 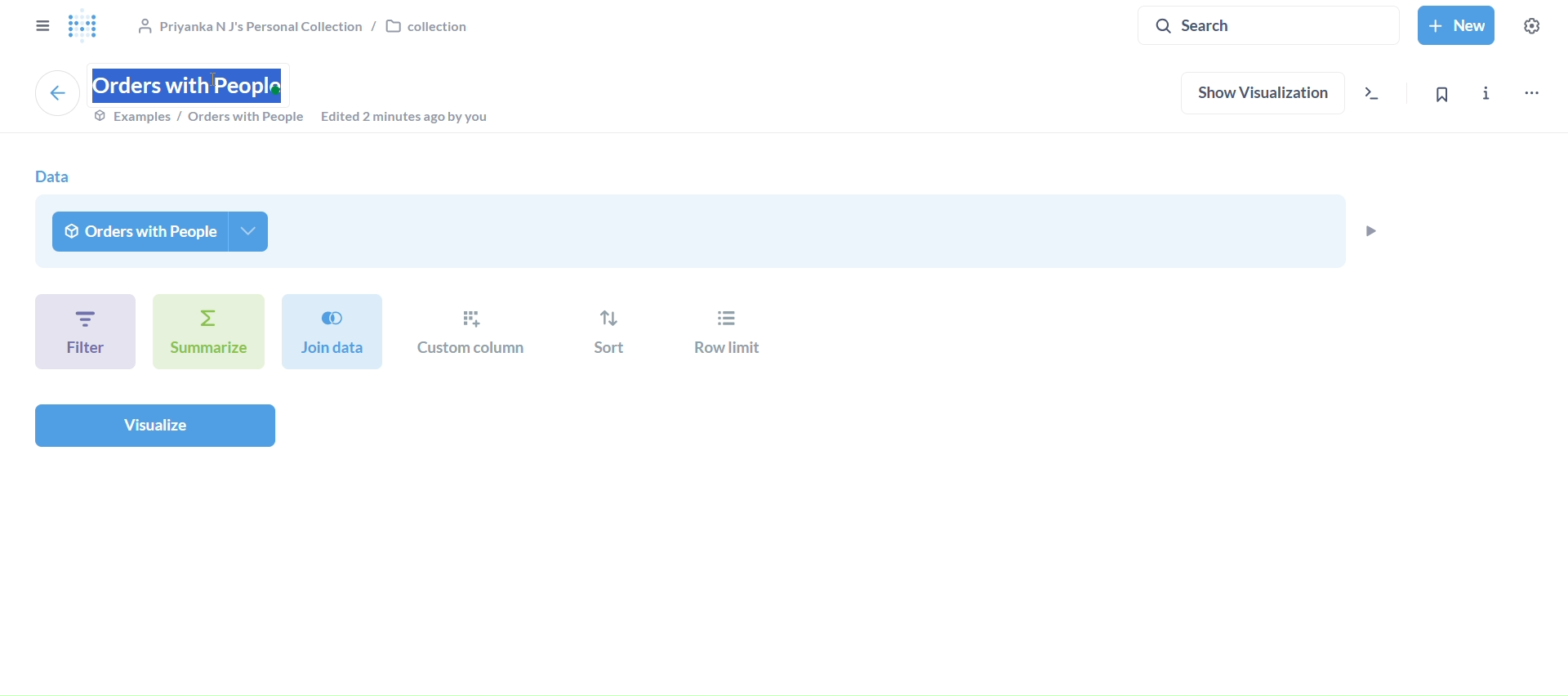 I want to click on examples/orders with prople , so click(x=198, y=118).